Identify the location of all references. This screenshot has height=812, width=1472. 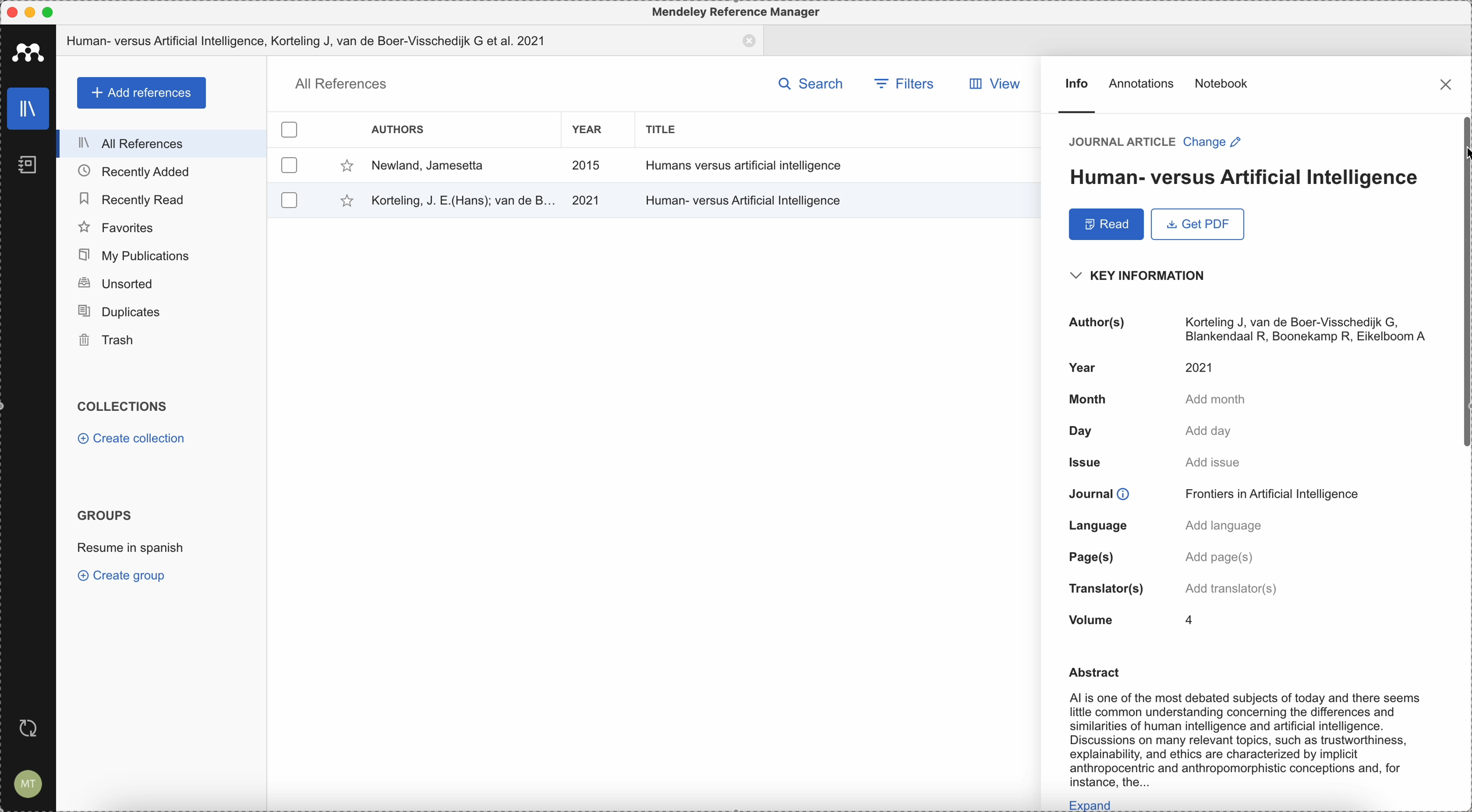
(339, 84).